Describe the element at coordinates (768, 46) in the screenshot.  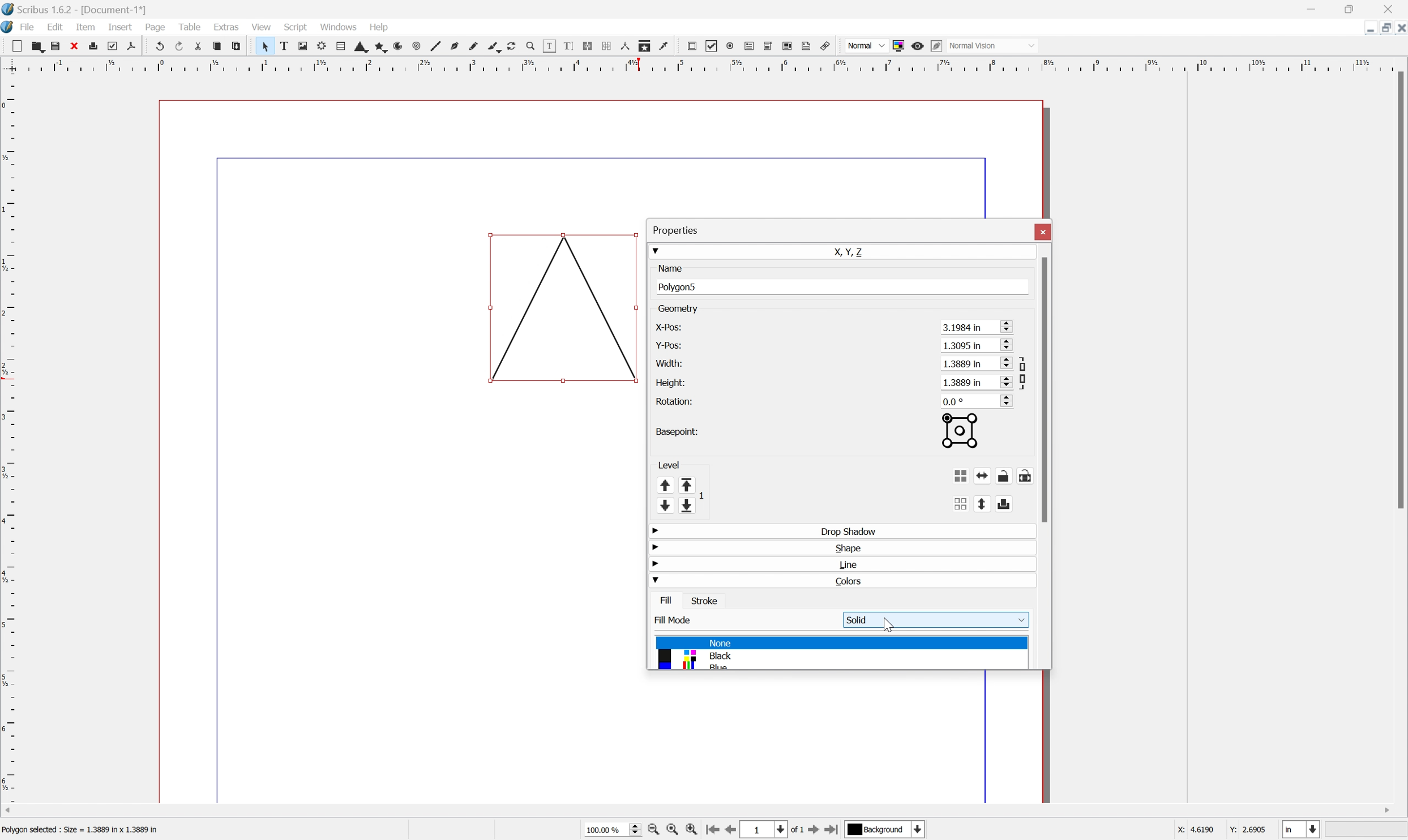
I see `PDF combo box` at that location.